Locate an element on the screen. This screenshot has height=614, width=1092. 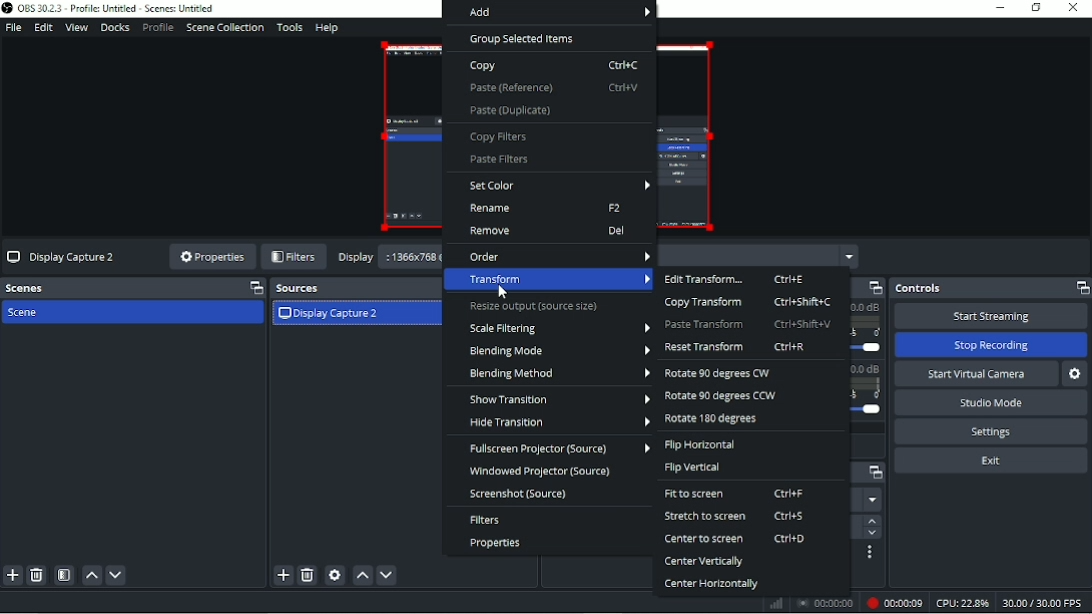
Settings is located at coordinates (992, 432).